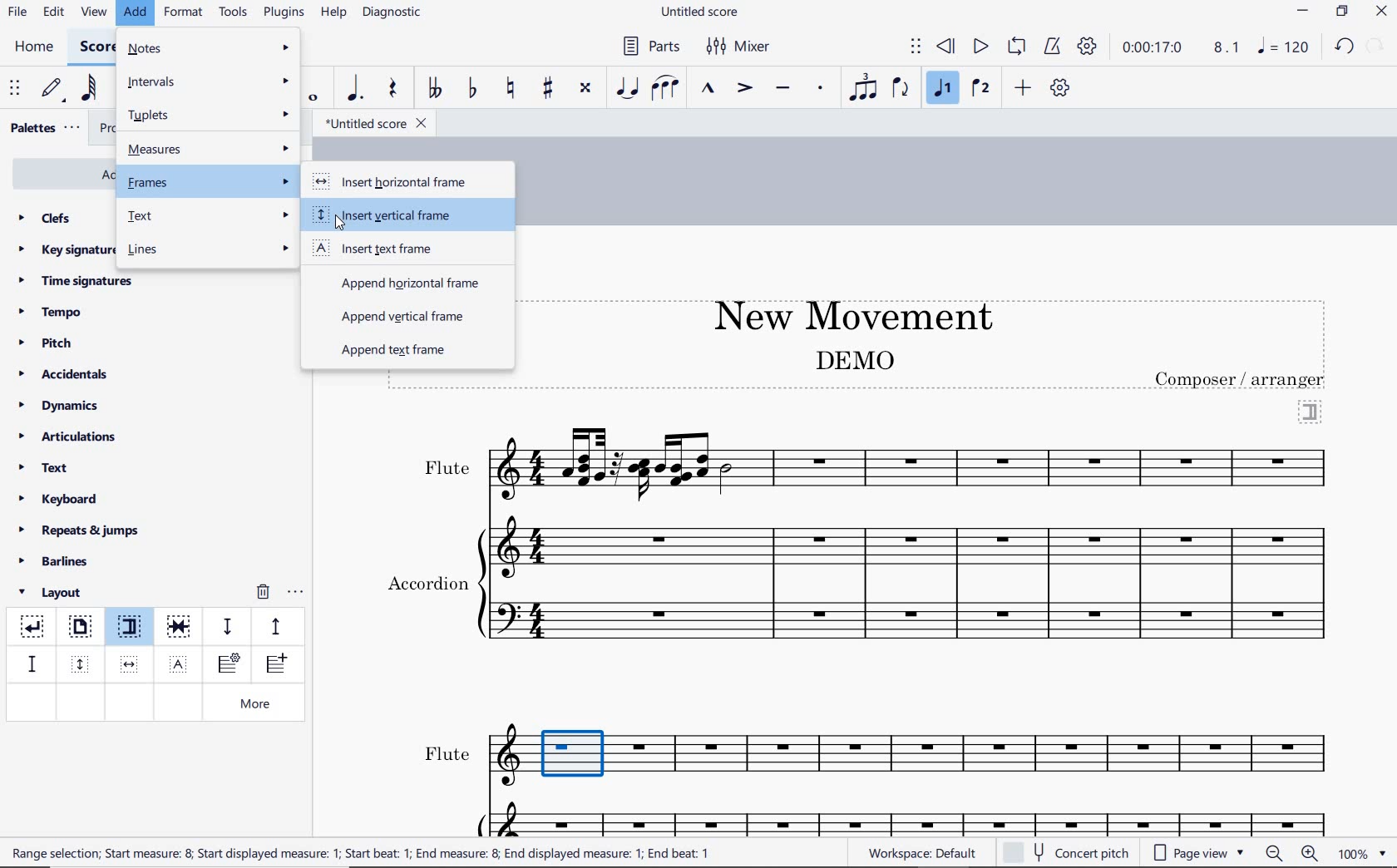 This screenshot has width=1397, height=868. What do you see at coordinates (1362, 853) in the screenshot?
I see `zoom factor` at bounding box center [1362, 853].